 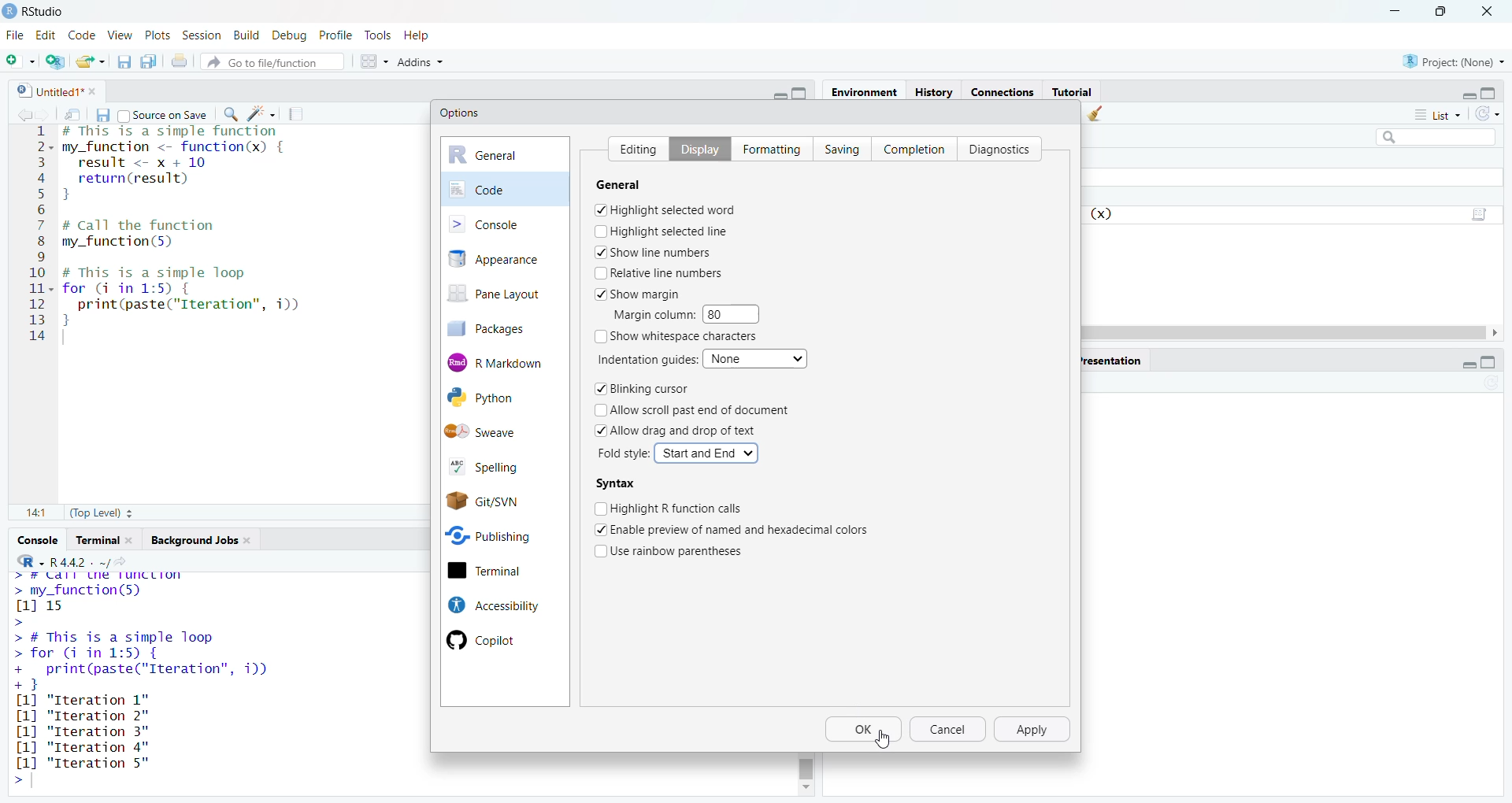 What do you see at coordinates (128, 561) in the screenshot?
I see `view the current working directory` at bounding box center [128, 561].